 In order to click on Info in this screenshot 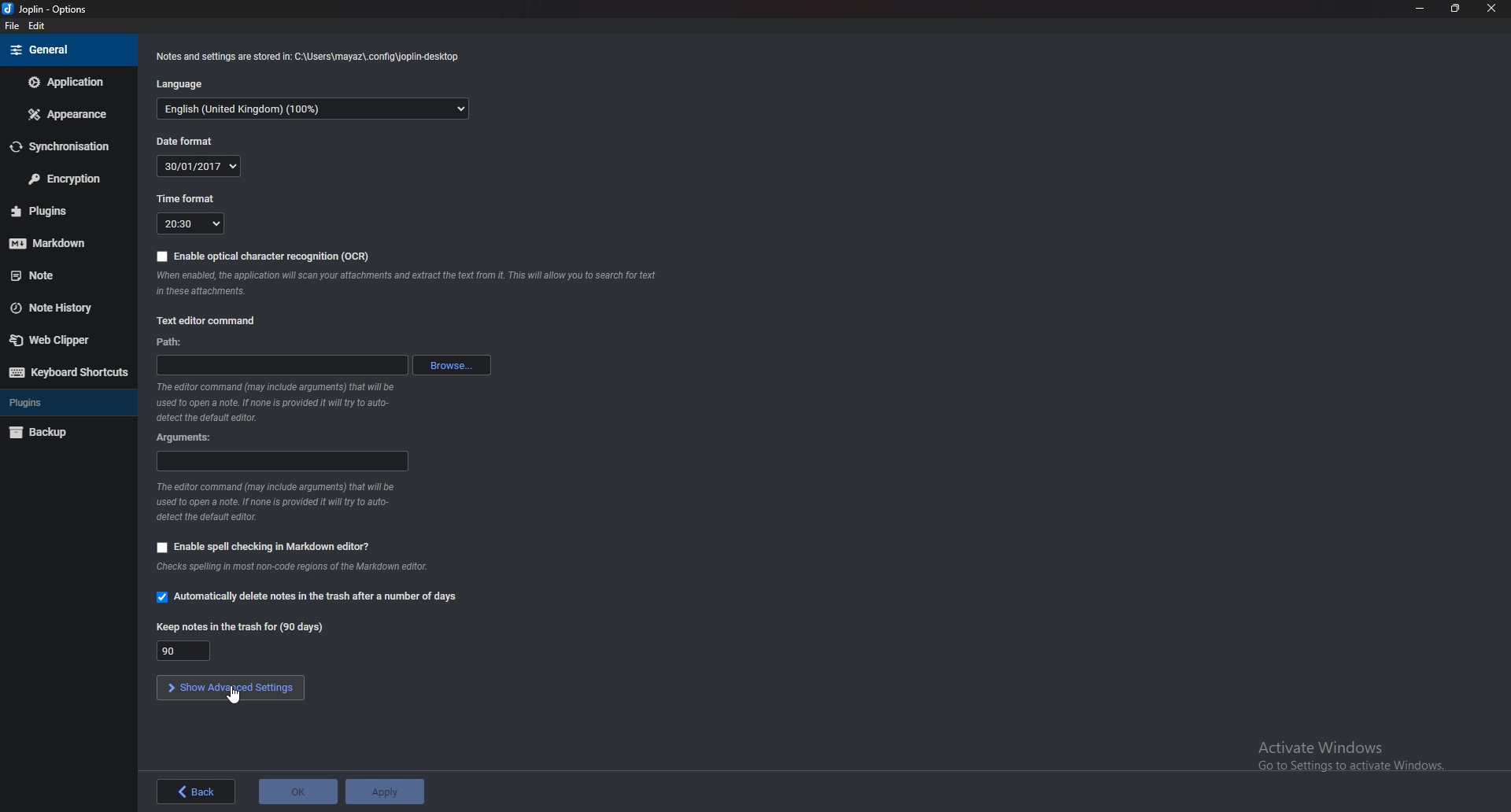, I will do `click(275, 501)`.